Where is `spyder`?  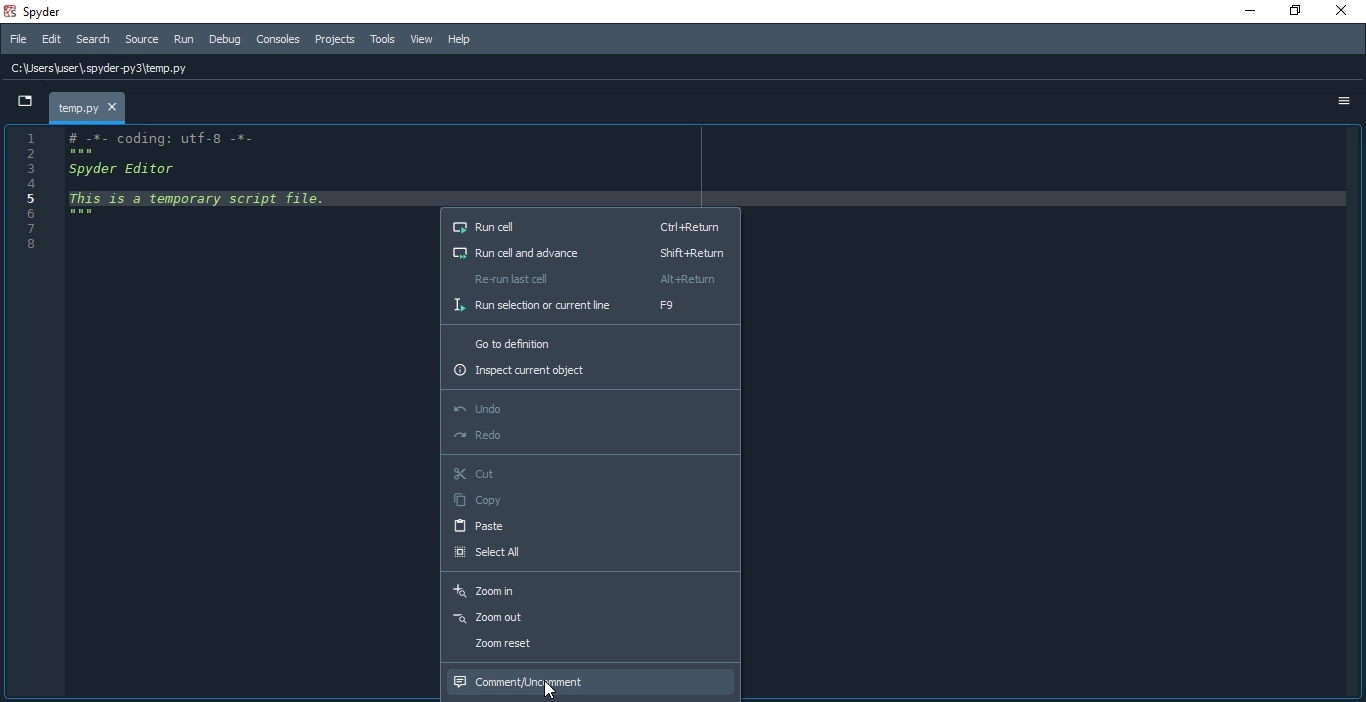 spyder is located at coordinates (40, 12).